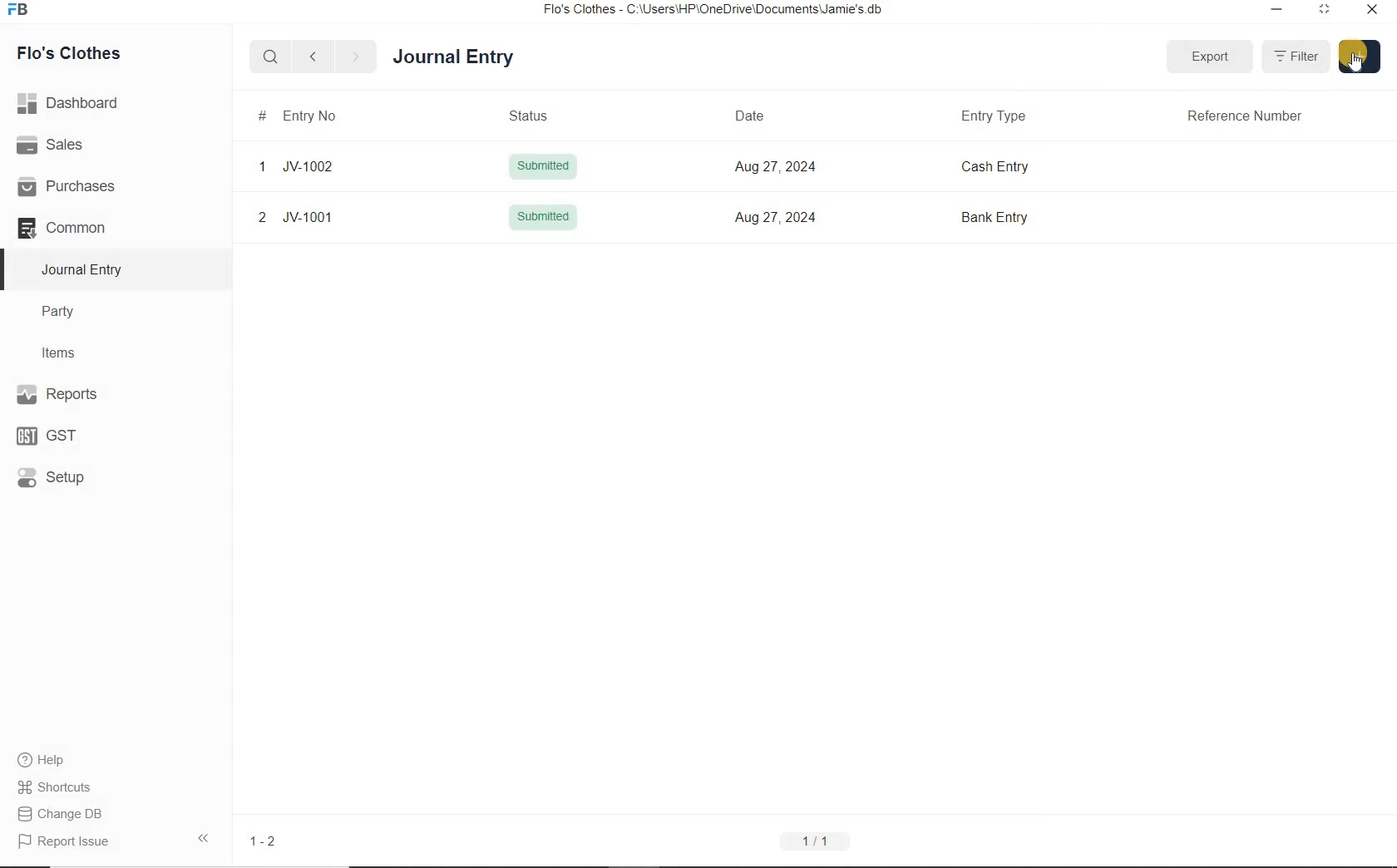  I want to click on add more, so click(1359, 55).